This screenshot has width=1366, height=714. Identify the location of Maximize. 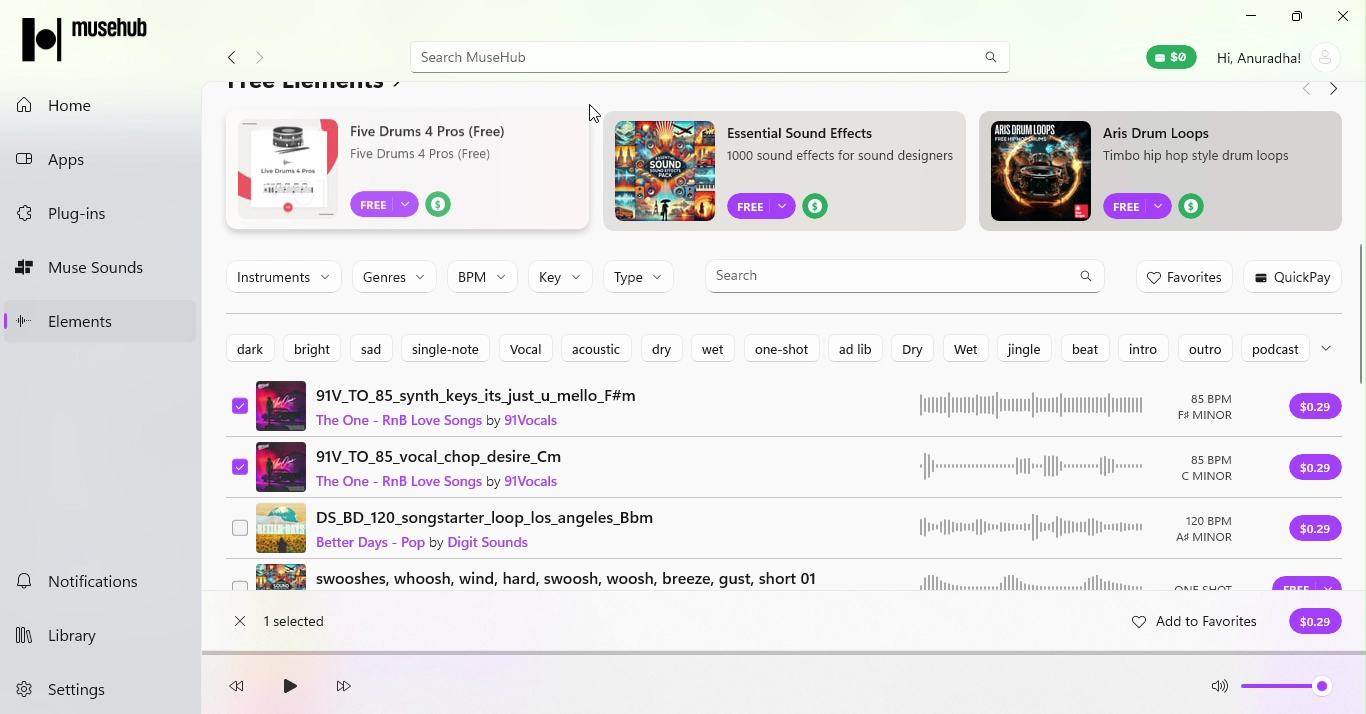
(1293, 17).